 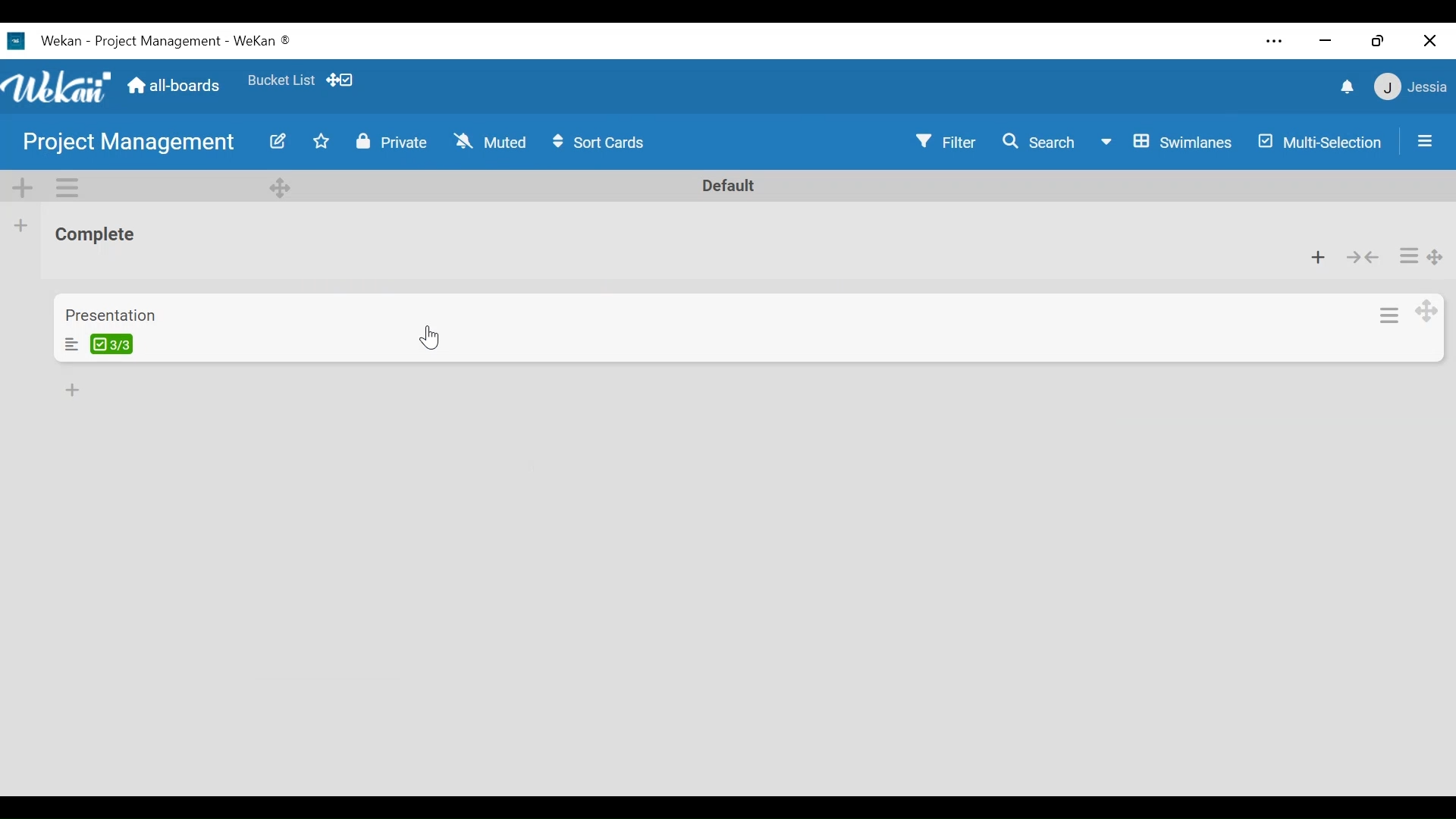 I want to click on Card actions, so click(x=1387, y=316).